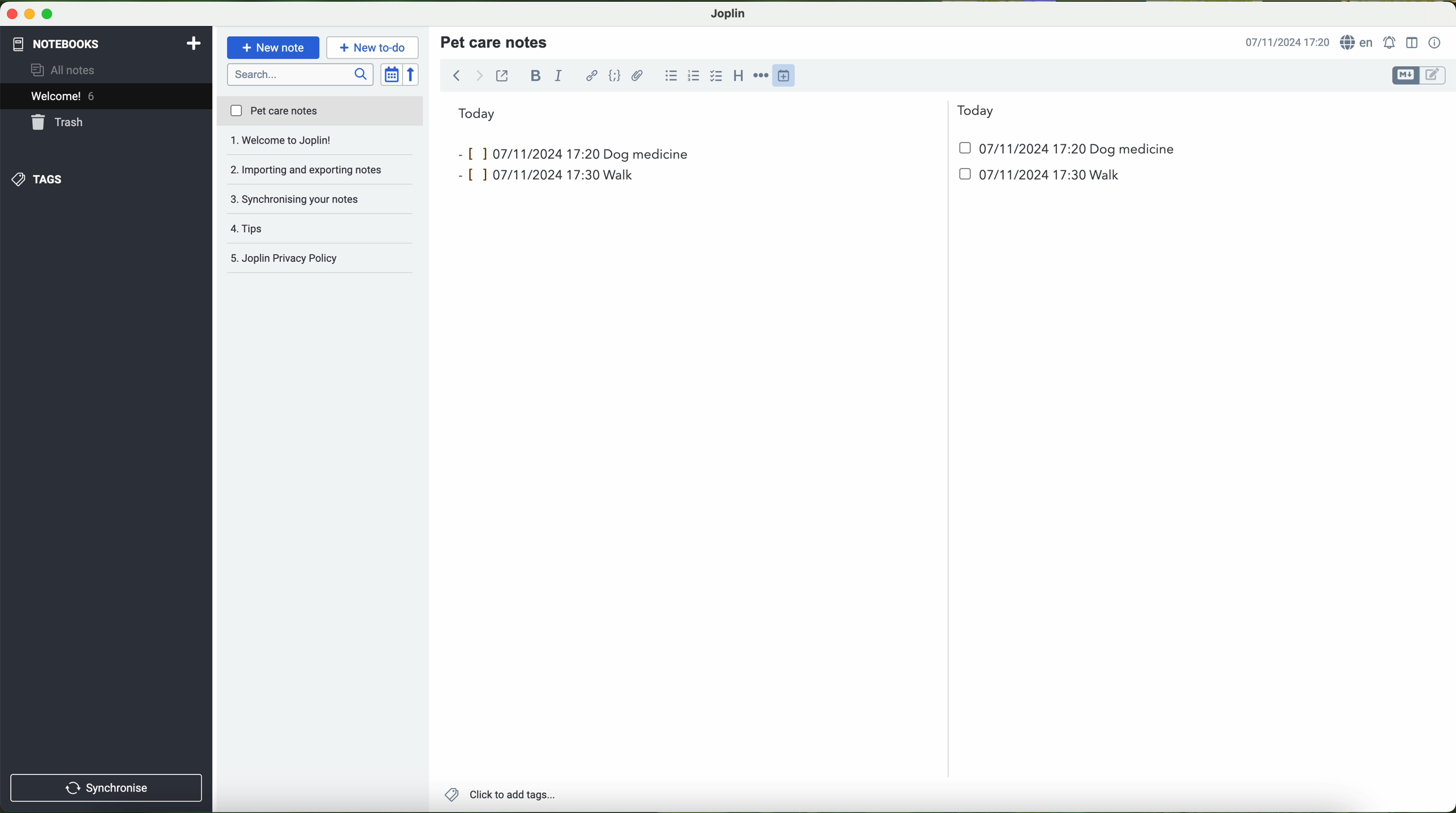 The image size is (1456, 813). Describe the element at coordinates (692, 76) in the screenshot. I see `numbered list` at that location.